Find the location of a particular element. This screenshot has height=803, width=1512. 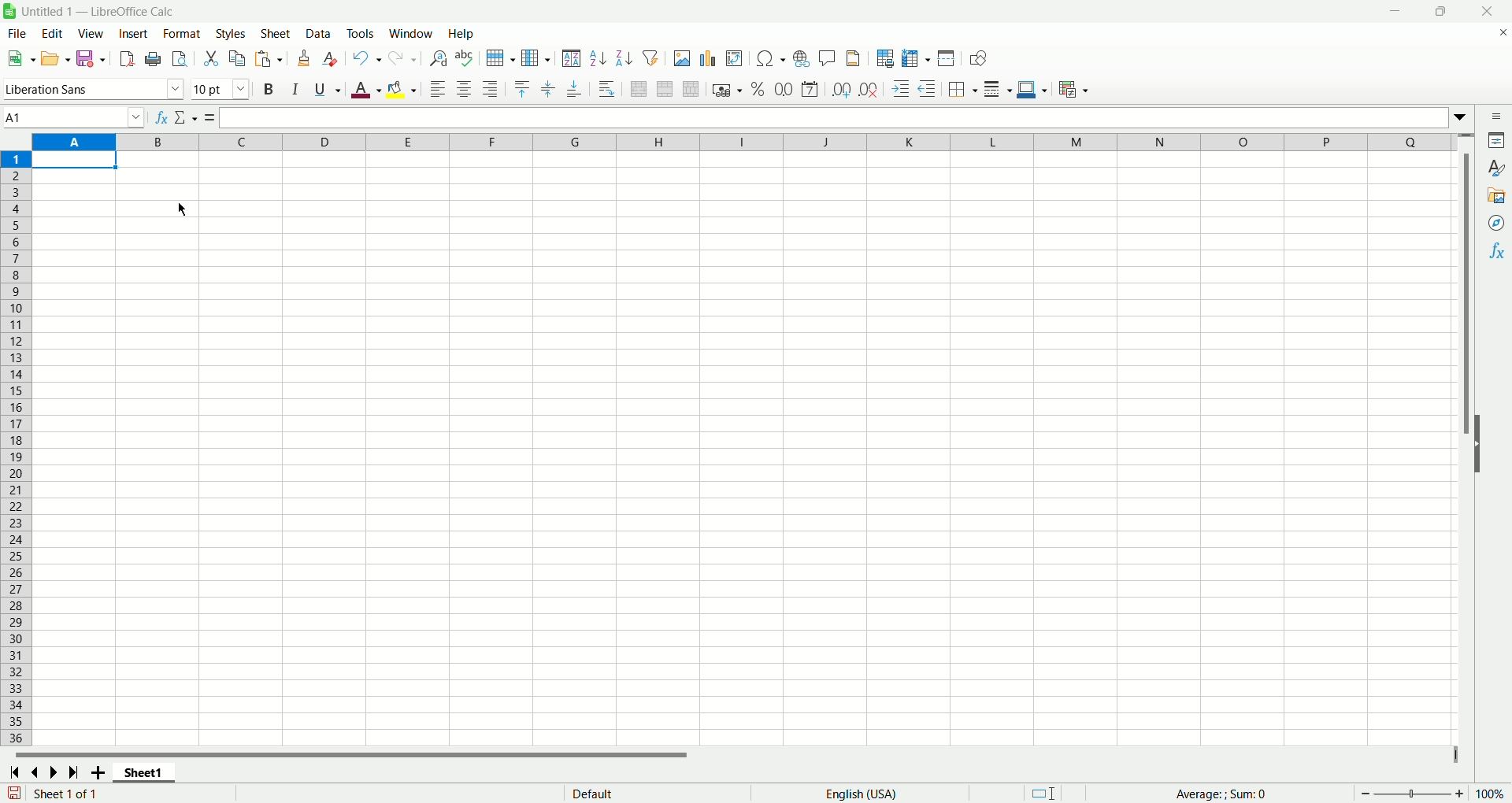

Untitled 1 - LibreOffice Calc is located at coordinates (107, 9).